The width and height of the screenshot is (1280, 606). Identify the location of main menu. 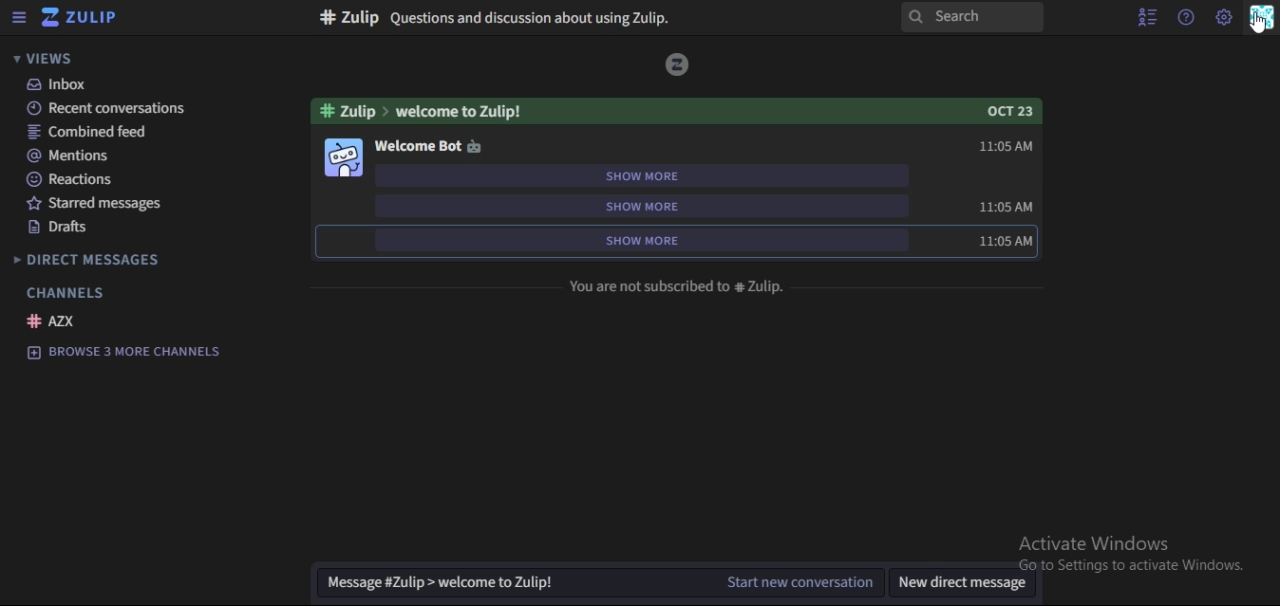
(1224, 19).